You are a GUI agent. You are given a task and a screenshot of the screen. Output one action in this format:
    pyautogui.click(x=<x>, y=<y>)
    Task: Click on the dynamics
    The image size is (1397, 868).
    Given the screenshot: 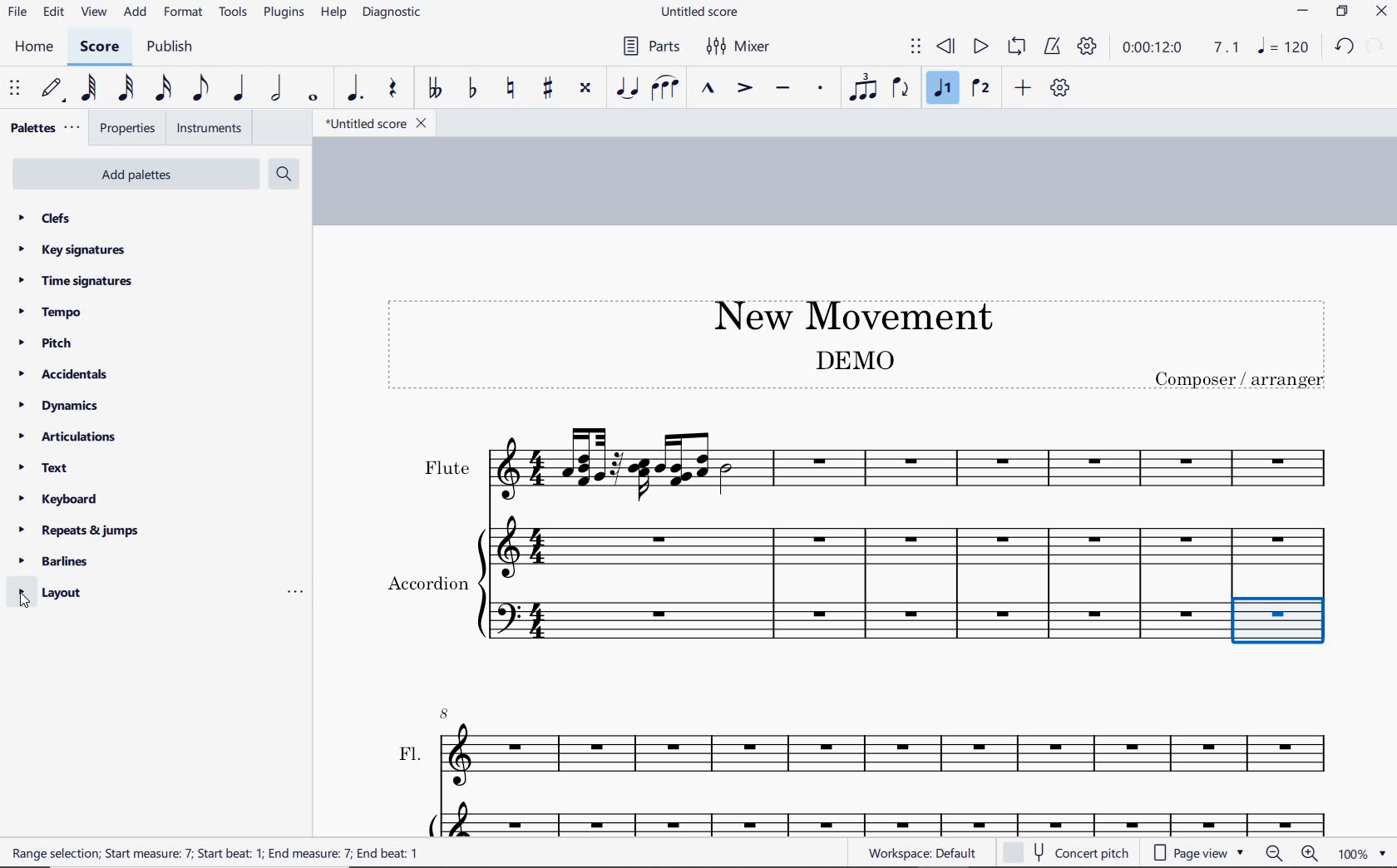 What is the action you would take?
    pyautogui.click(x=63, y=406)
    